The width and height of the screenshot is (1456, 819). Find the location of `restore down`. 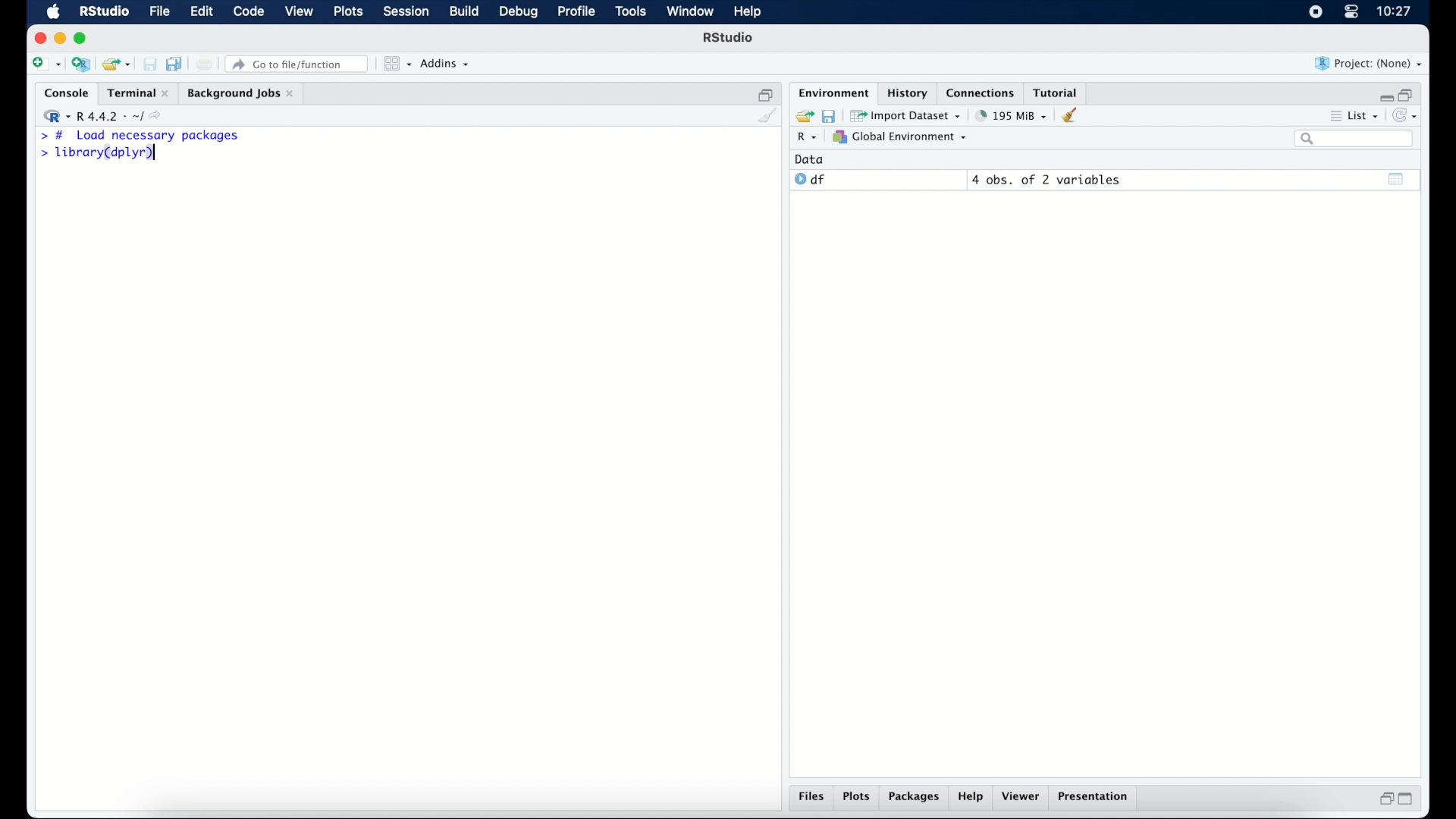

restore down is located at coordinates (766, 93).